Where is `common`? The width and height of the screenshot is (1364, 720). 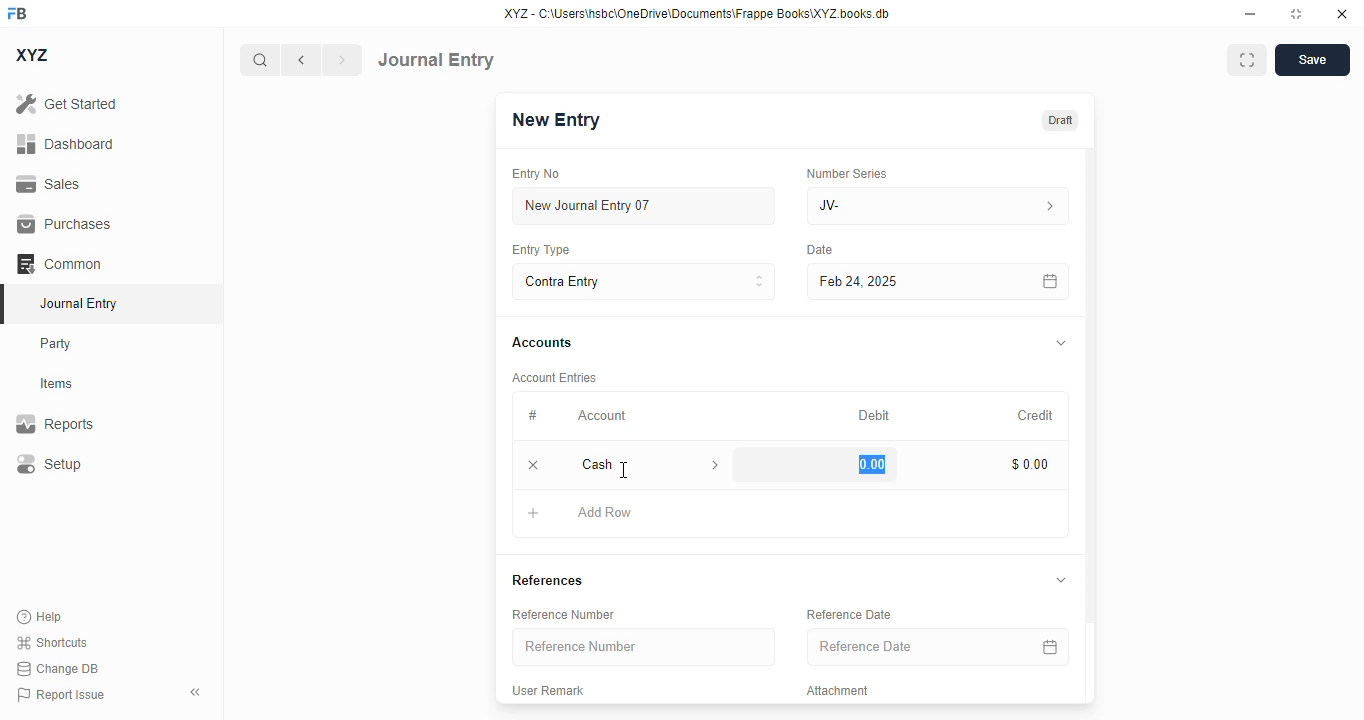 common is located at coordinates (59, 263).